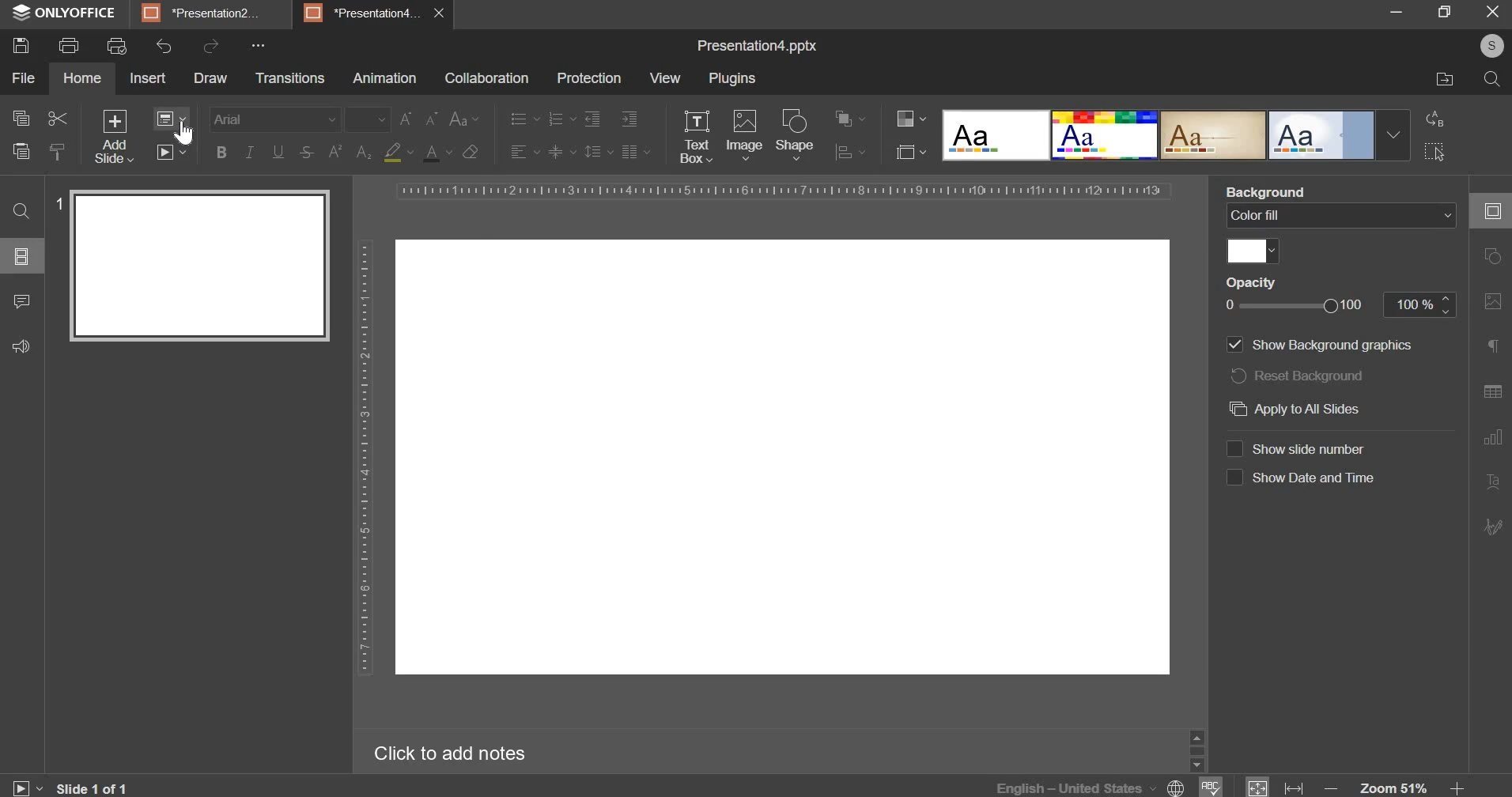 The width and height of the screenshot is (1512, 797). Describe the element at coordinates (1489, 211) in the screenshot. I see `slide setting` at that location.